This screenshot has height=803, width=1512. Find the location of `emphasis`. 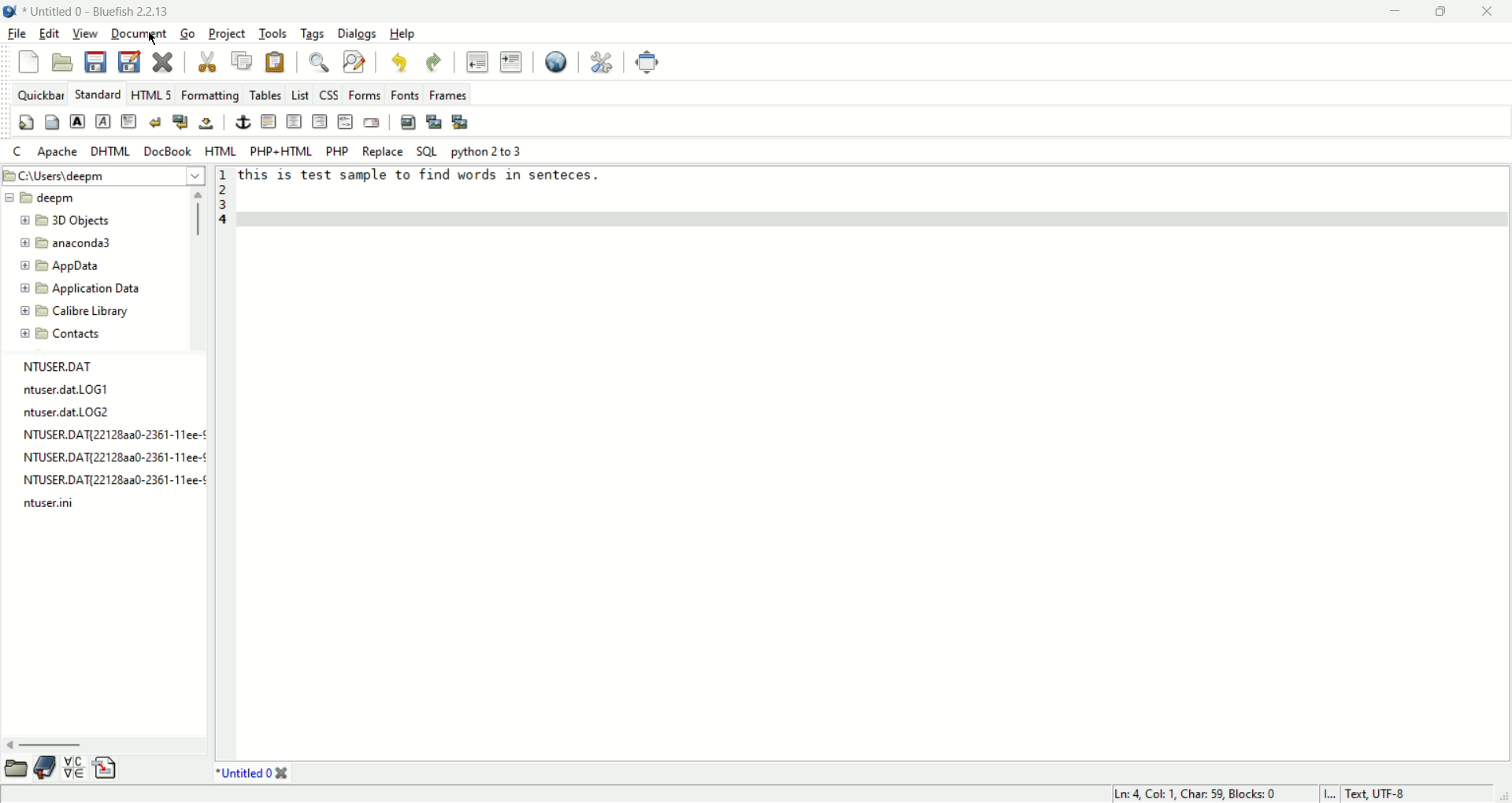

emphasis is located at coordinates (102, 121).